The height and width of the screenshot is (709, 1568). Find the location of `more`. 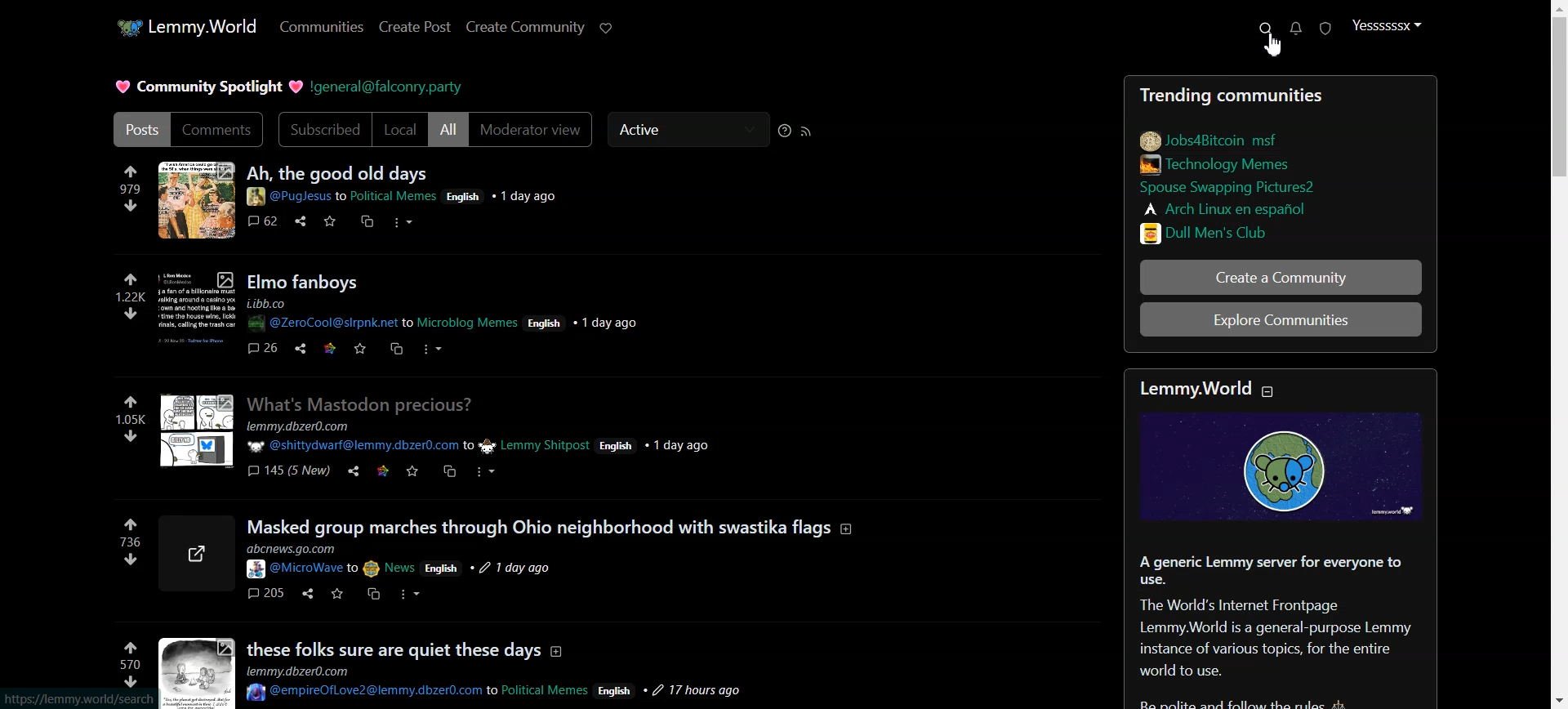

more is located at coordinates (403, 222).